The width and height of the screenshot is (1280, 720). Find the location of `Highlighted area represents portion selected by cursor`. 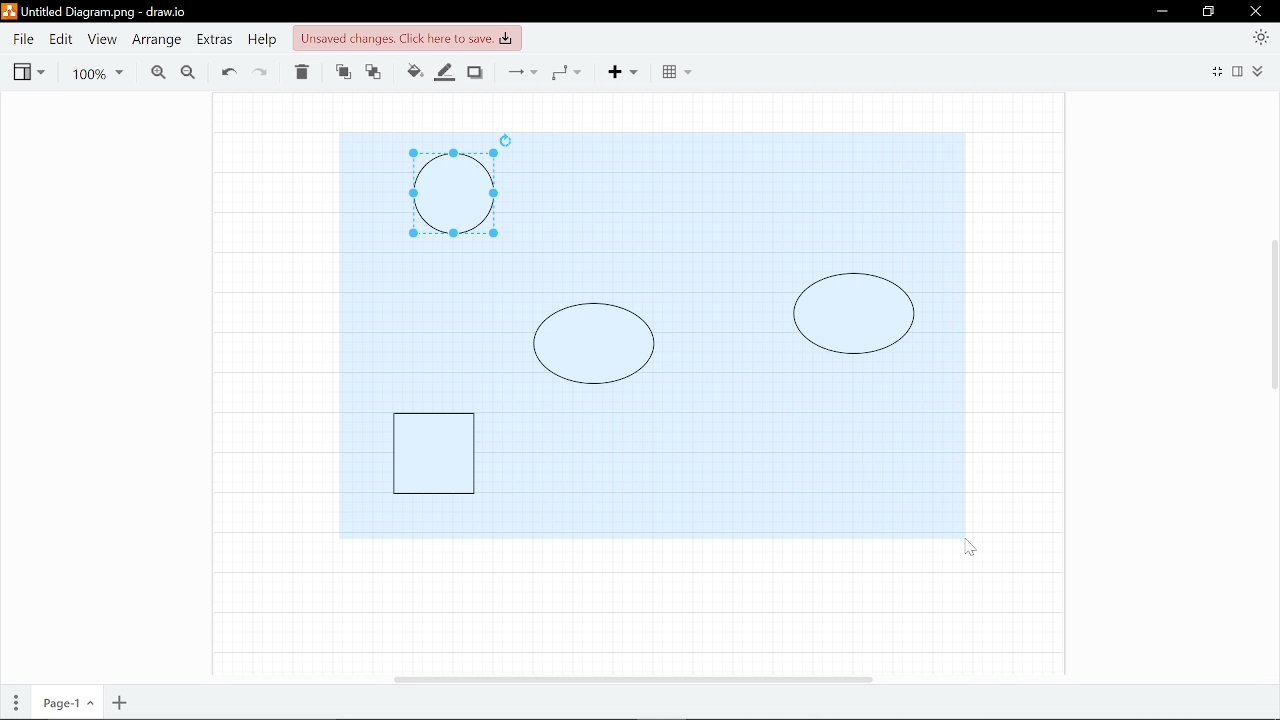

Highlighted area represents portion selected by cursor is located at coordinates (741, 199).